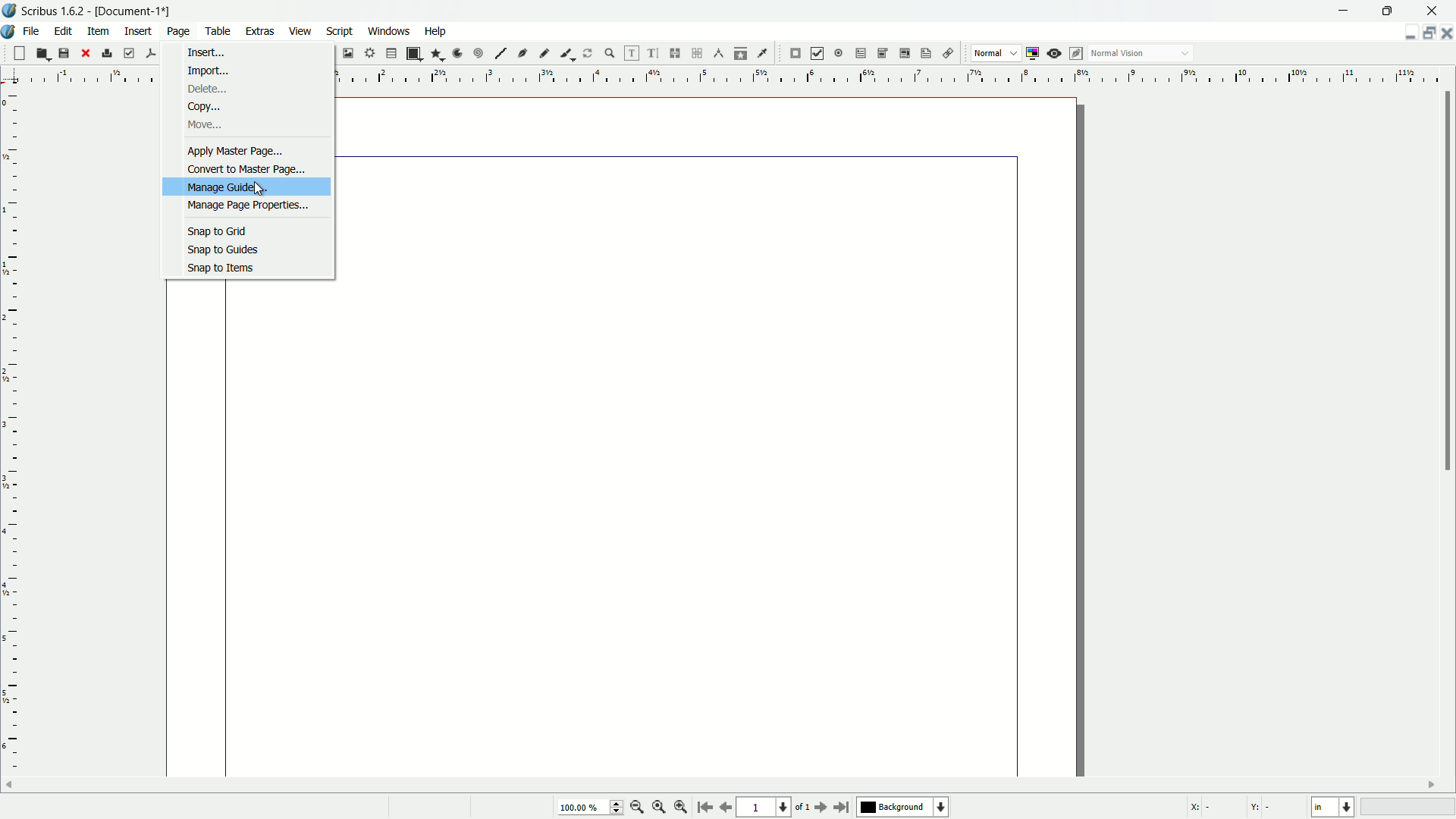 This screenshot has width=1456, height=819. I want to click on delete, so click(206, 90).